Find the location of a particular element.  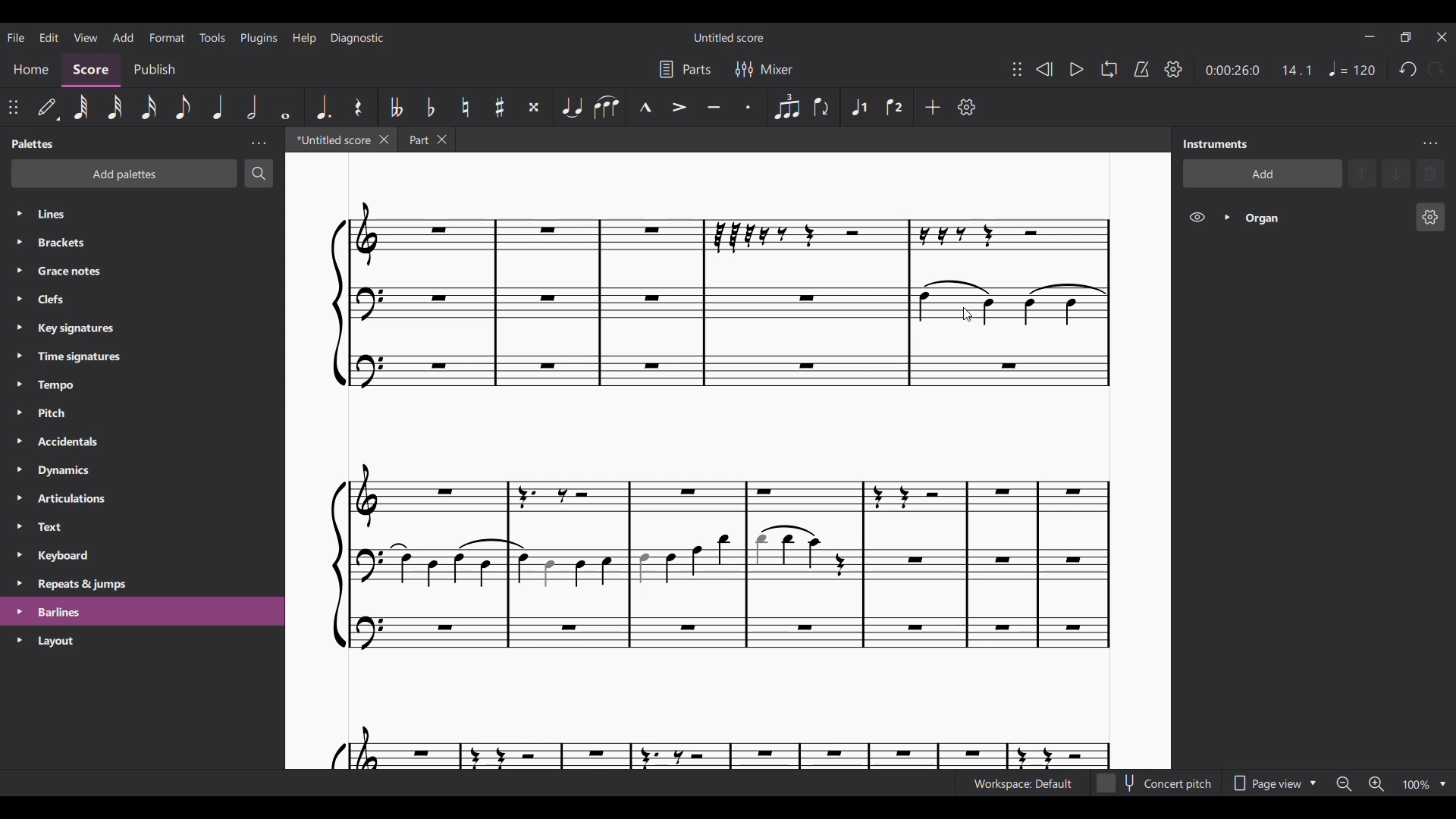

Current ratio and duration is located at coordinates (1258, 69).